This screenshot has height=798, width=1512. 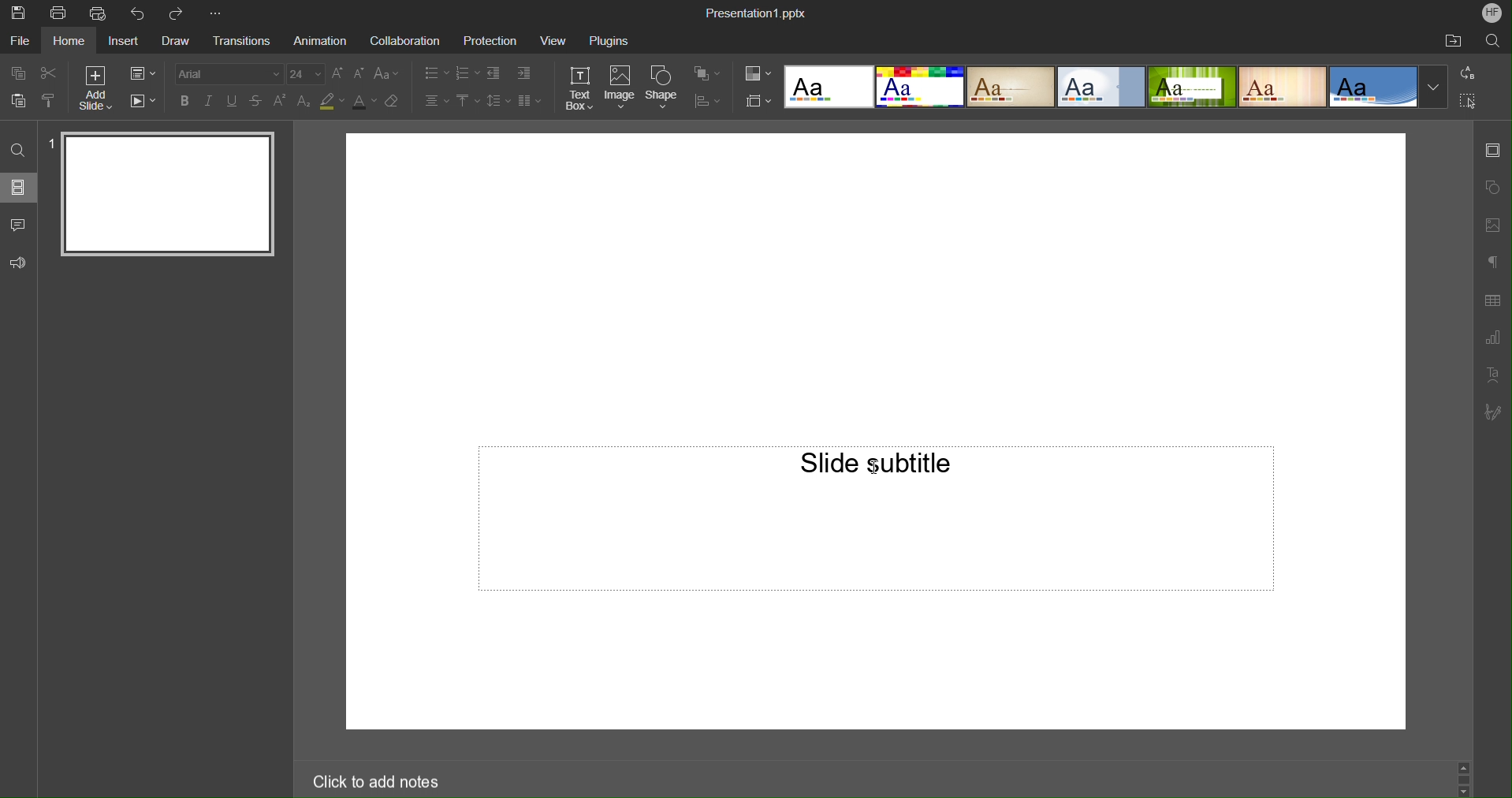 I want to click on Quick Print, so click(x=99, y=13).